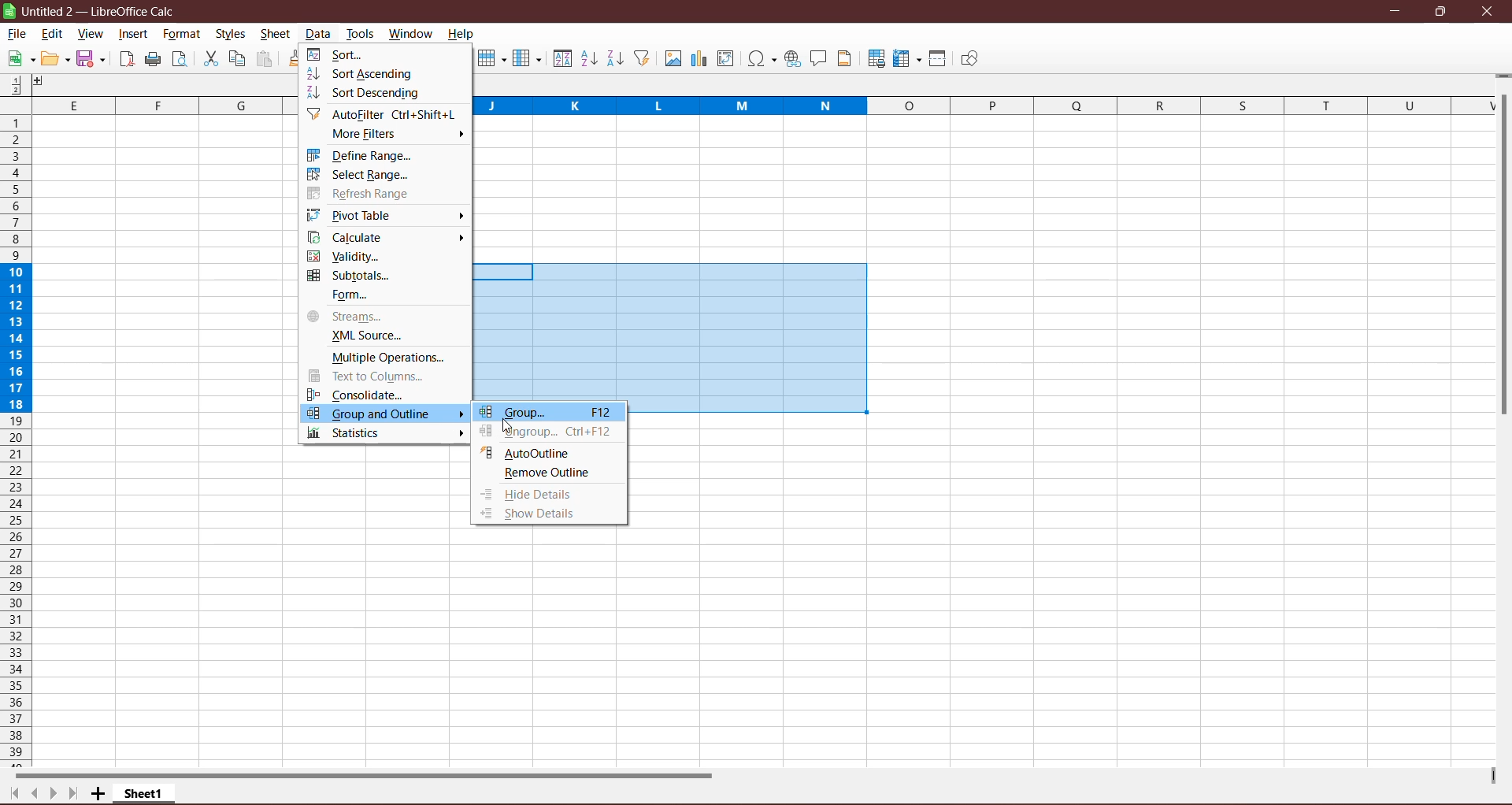 The width and height of the screenshot is (1512, 805). Describe the element at coordinates (370, 95) in the screenshot. I see `Sort Descending` at that location.